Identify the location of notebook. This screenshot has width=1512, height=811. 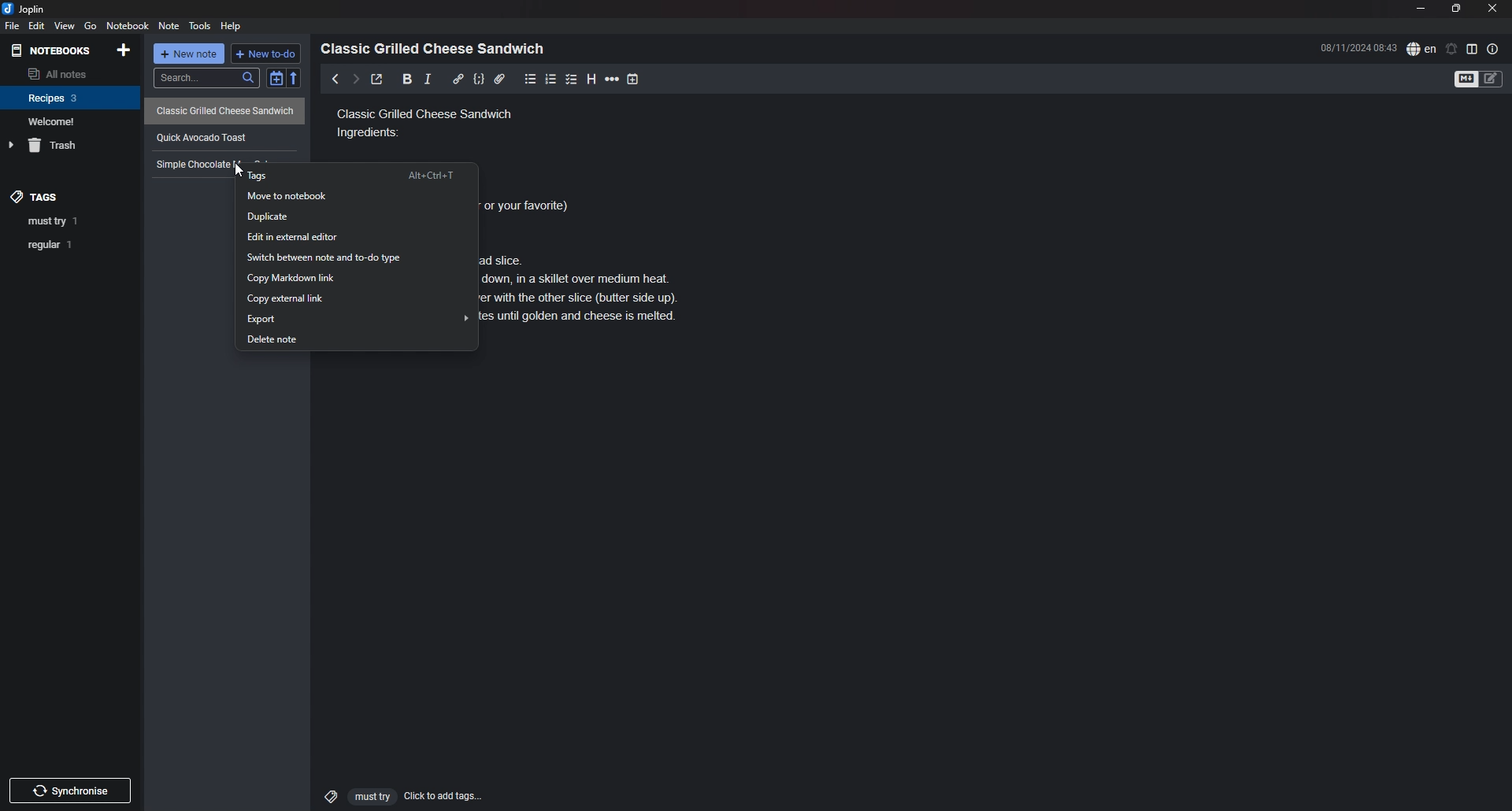
(71, 97).